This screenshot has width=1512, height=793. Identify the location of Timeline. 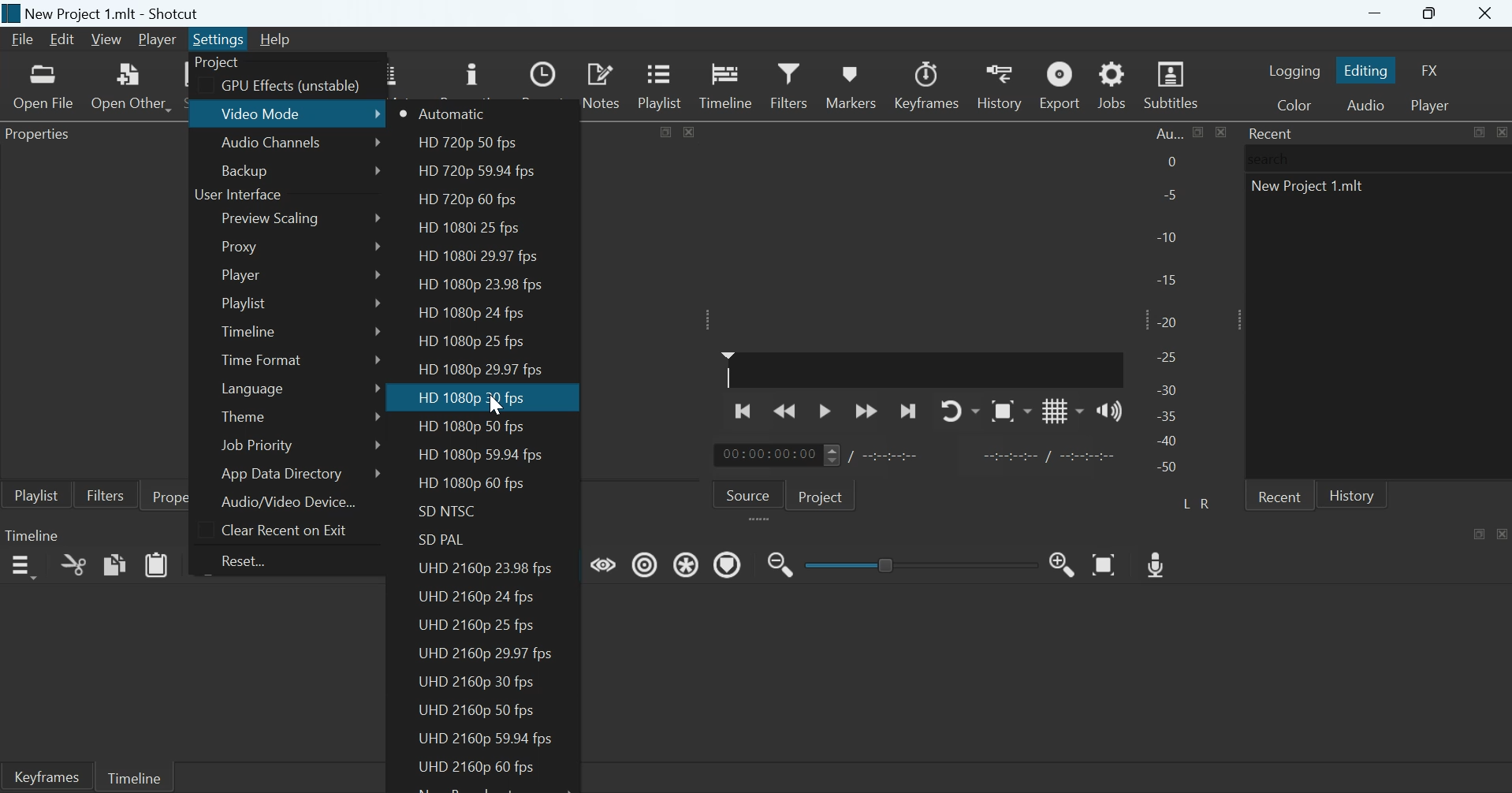
(32, 534).